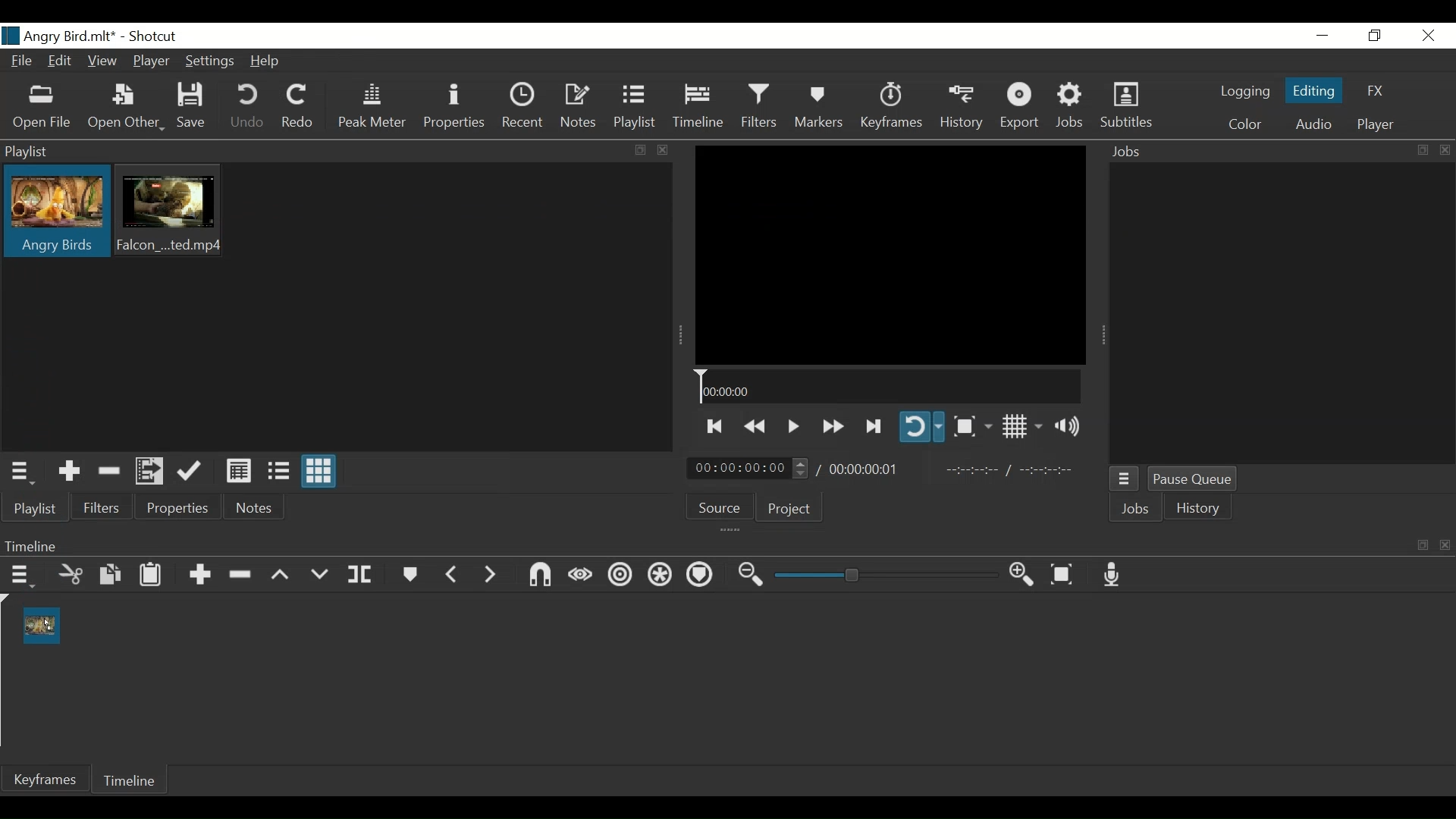  What do you see at coordinates (1128, 107) in the screenshot?
I see `Subtitles` at bounding box center [1128, 107].